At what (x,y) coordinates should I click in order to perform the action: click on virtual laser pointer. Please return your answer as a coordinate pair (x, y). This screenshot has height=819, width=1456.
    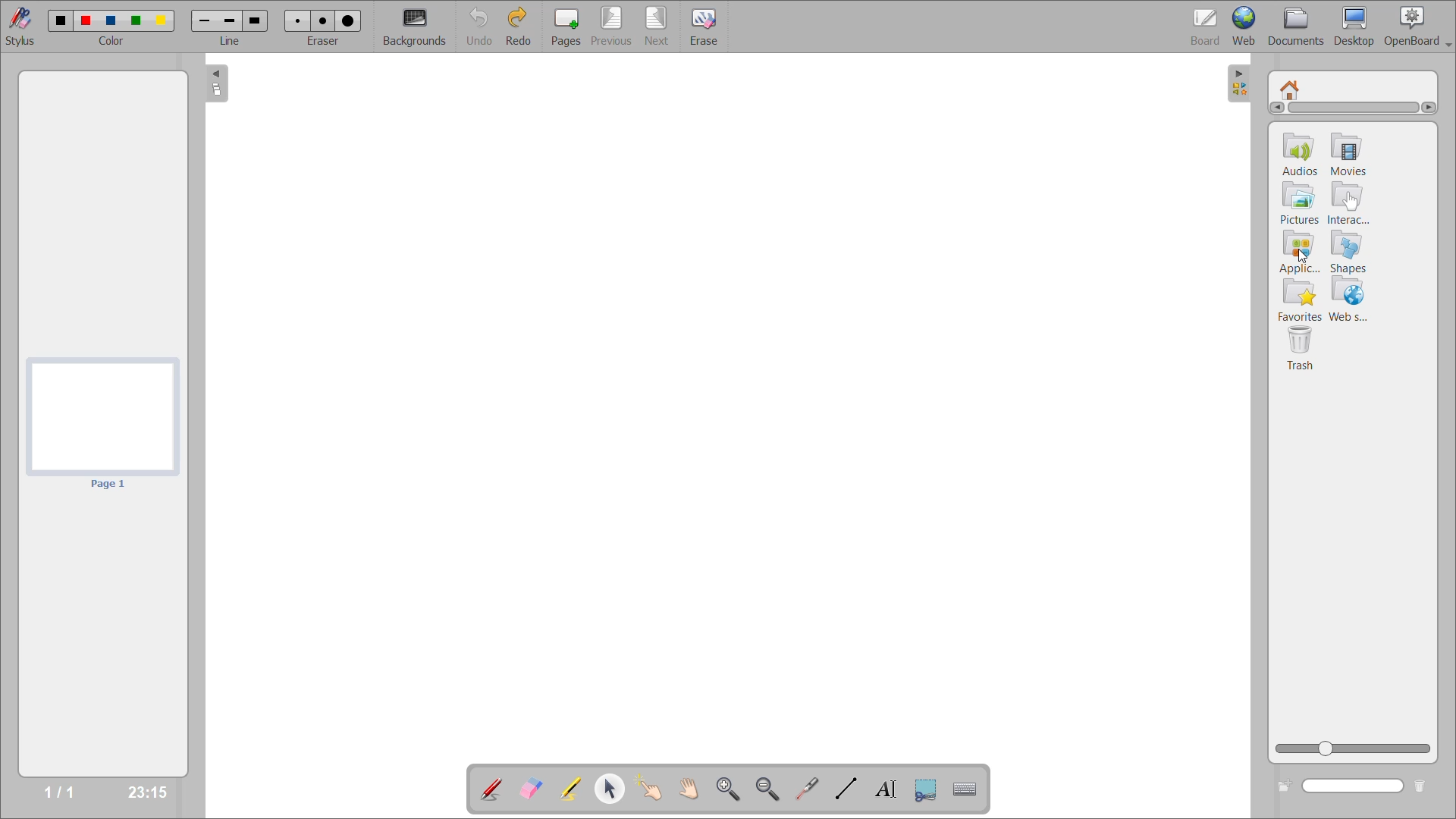
    Looking at the image, I should click on (805, 788).